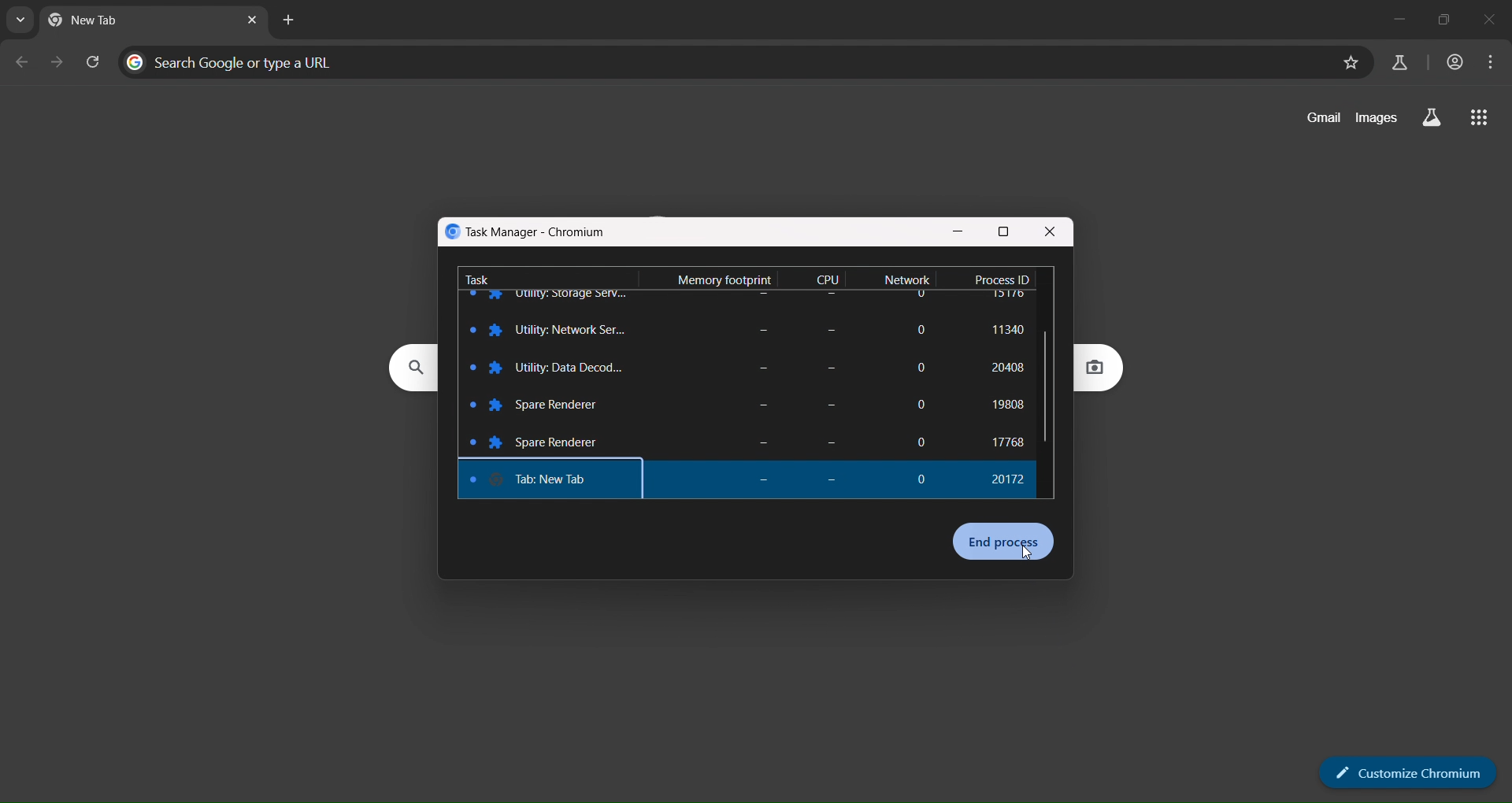  Describe the element at coordinates (1497, 18) in the screenshot. I see `close` at that location.